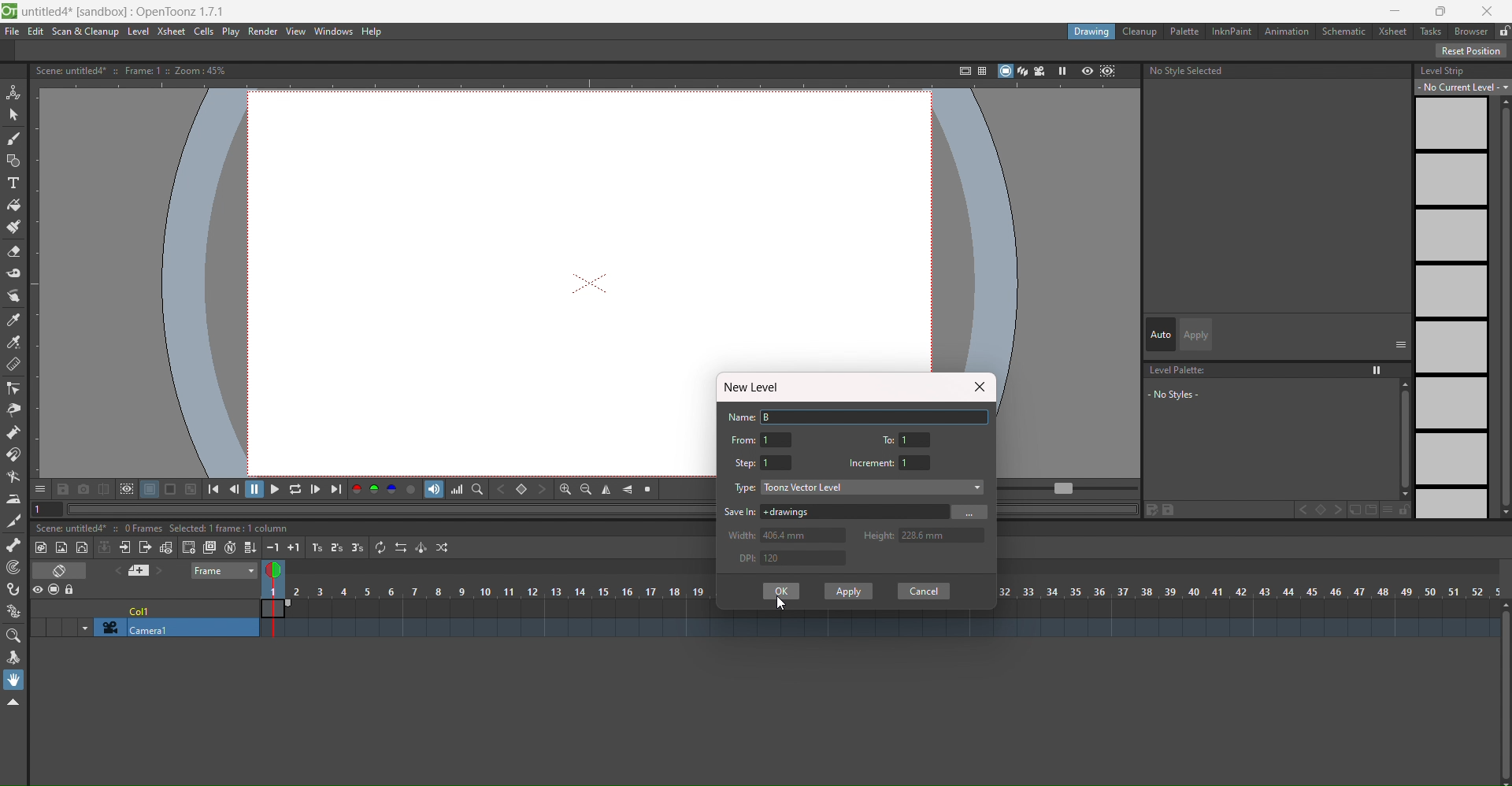 The height and width of the screenshot is (786, 1512). What do you see at coordinates (1503, 32) in the screenshot?
I see `lock unlock` at bounding box center [1503, 32].